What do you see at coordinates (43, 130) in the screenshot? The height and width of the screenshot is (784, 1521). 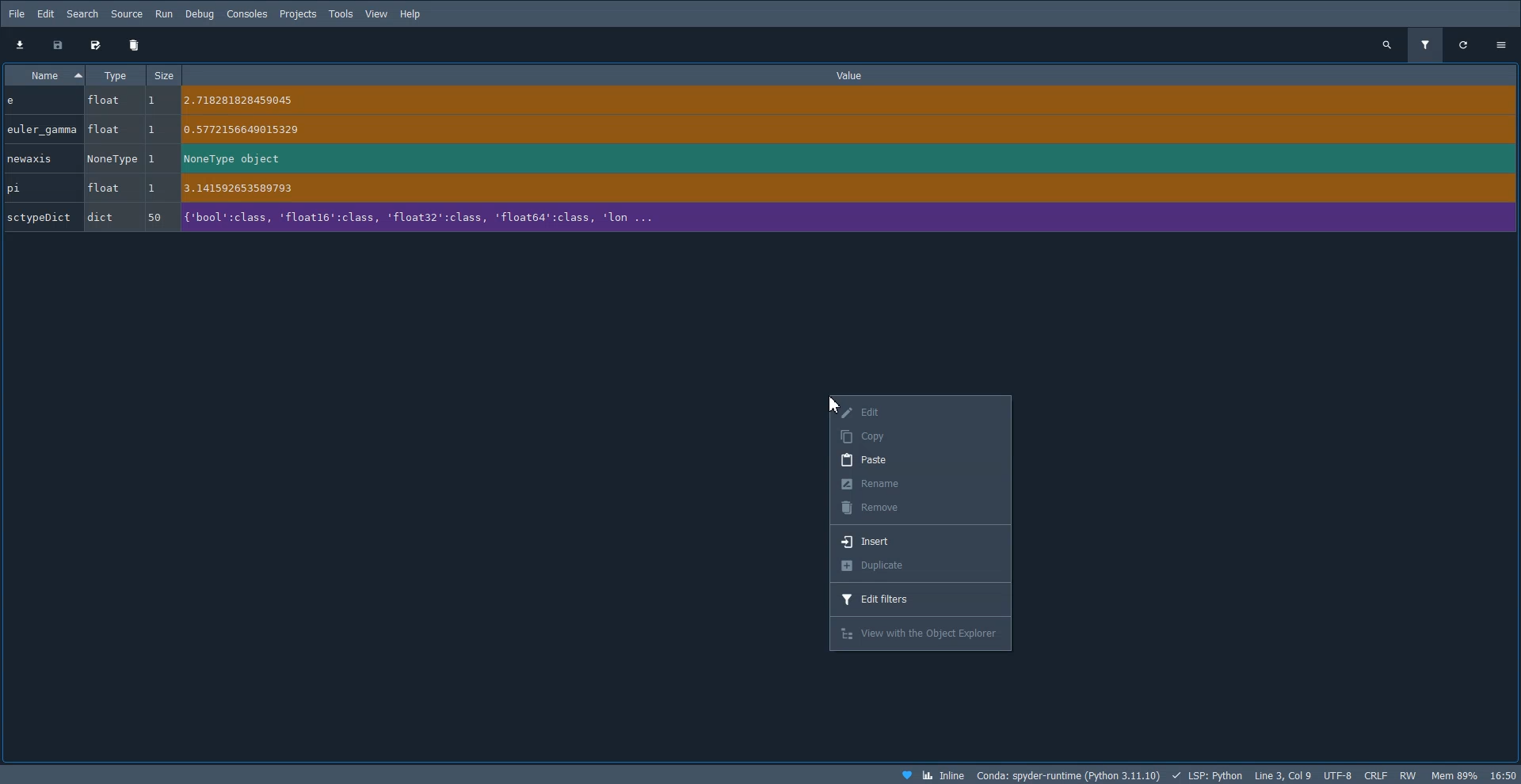 I see `euler_gamma` at bounding box center [43, 130].